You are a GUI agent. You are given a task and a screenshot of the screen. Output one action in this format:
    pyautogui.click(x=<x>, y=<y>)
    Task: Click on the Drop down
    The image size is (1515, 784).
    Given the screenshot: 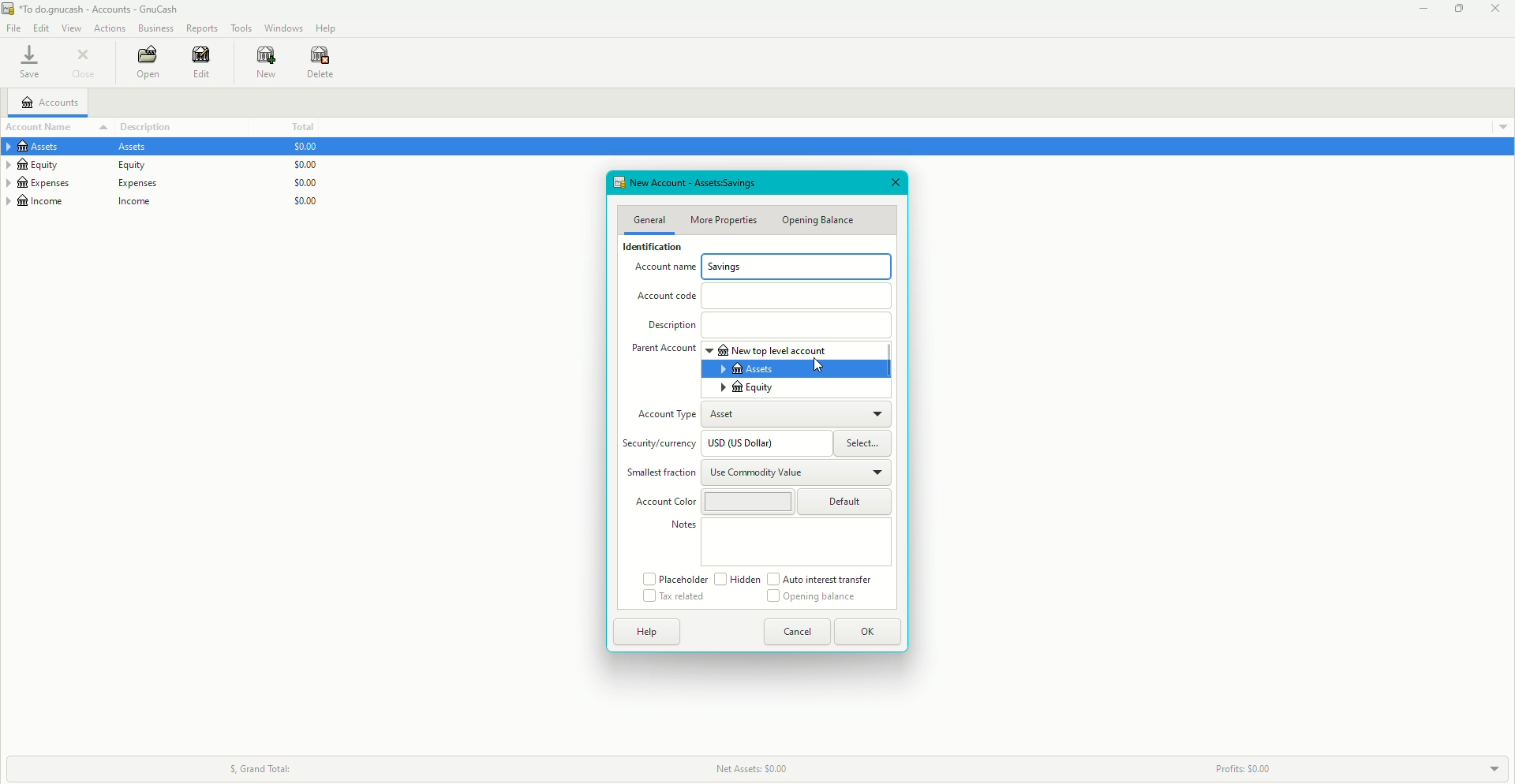 What is the action you would take?
    pyautogui.click(x=1494, y=767)
    